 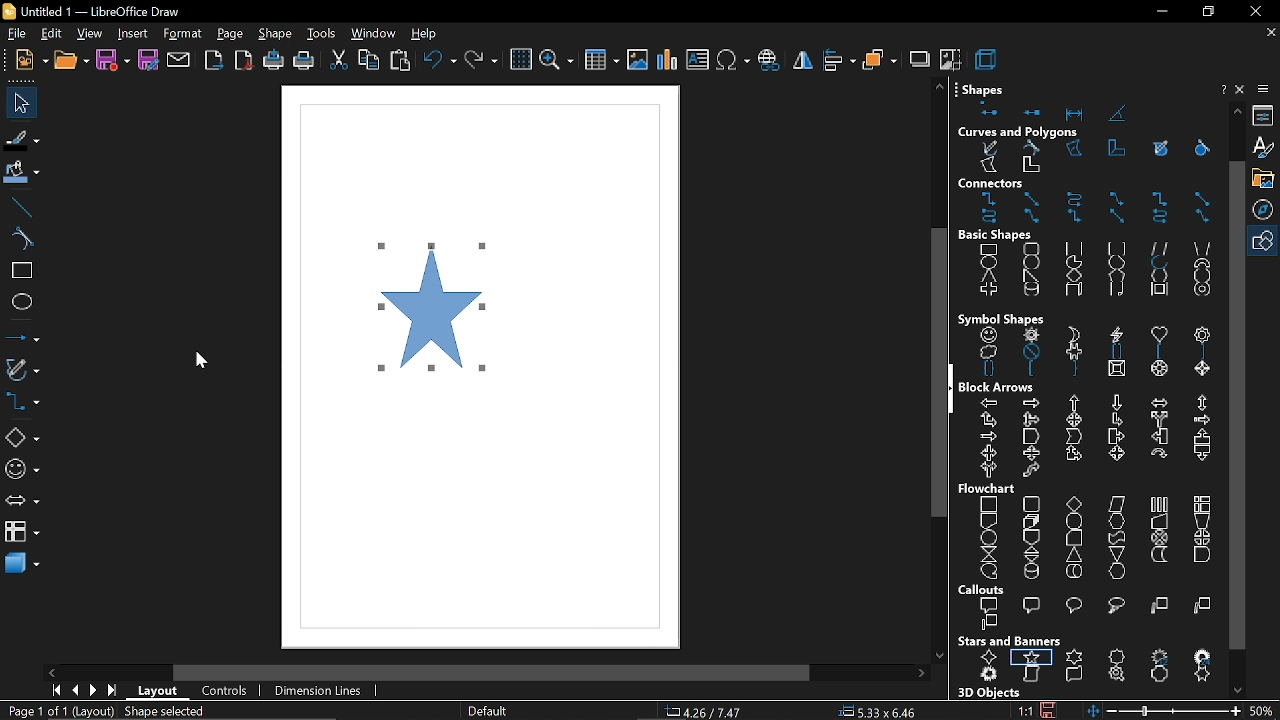 What do you see at coordinates (1266, 209) in the screenshot?
I see `navigator` at bounding box center [1266, 209].